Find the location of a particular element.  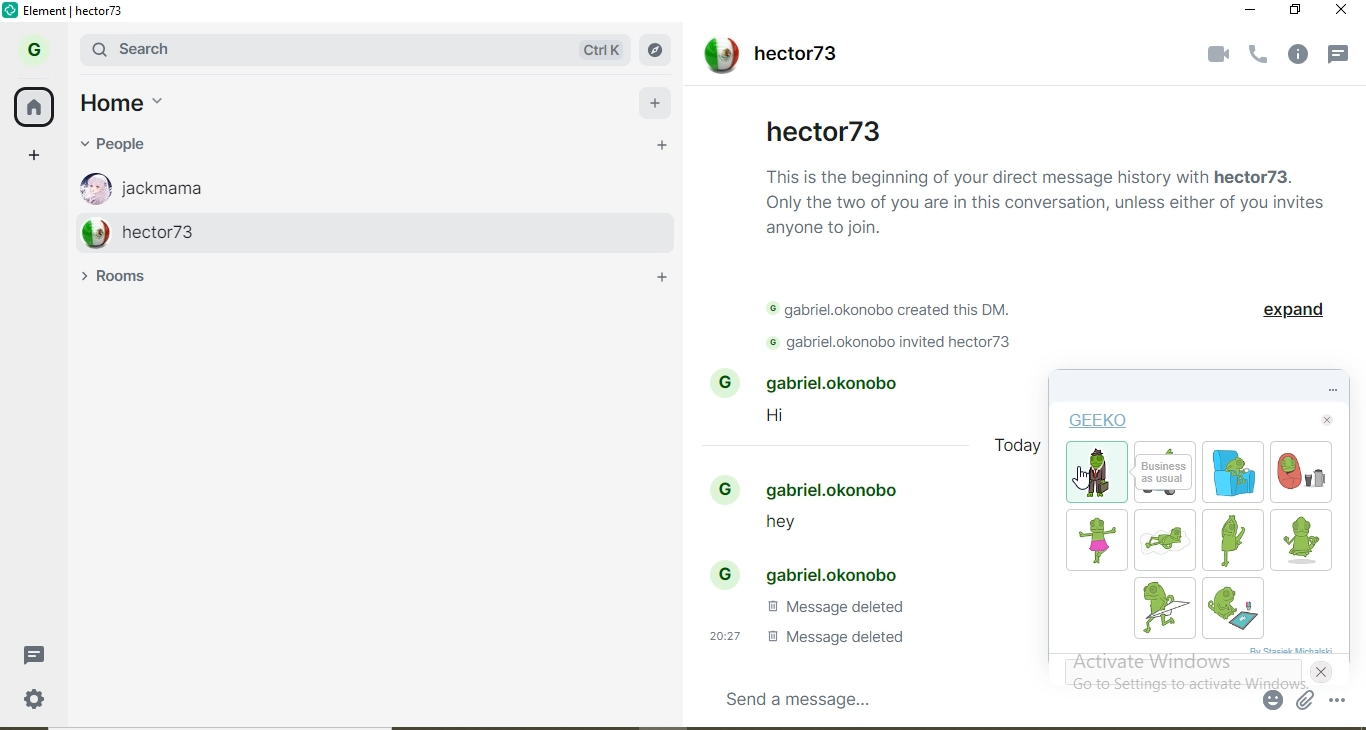

option is located at coordinates (1342, 701).